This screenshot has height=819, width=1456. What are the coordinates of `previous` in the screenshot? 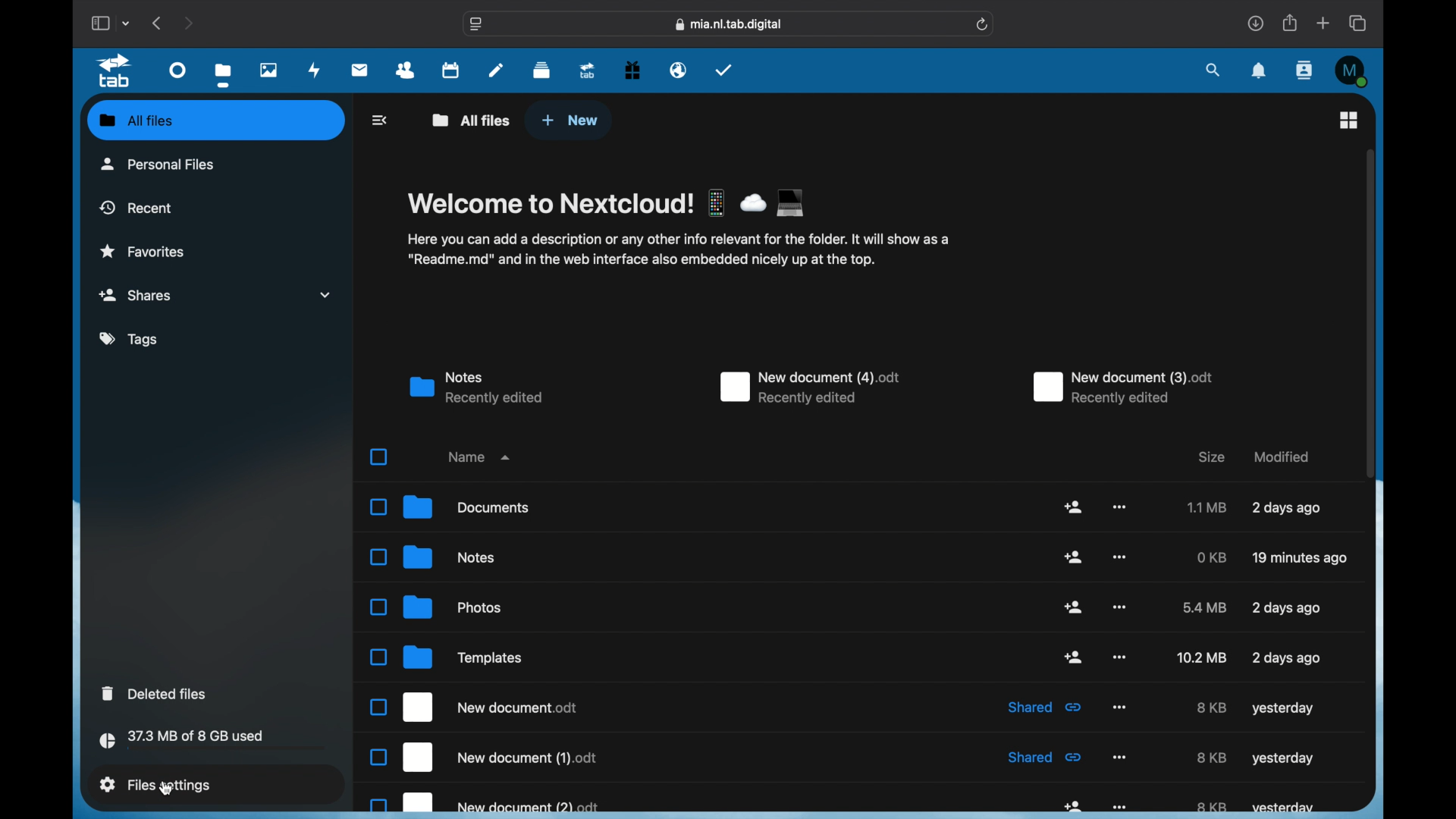 It's located at (158, 24).